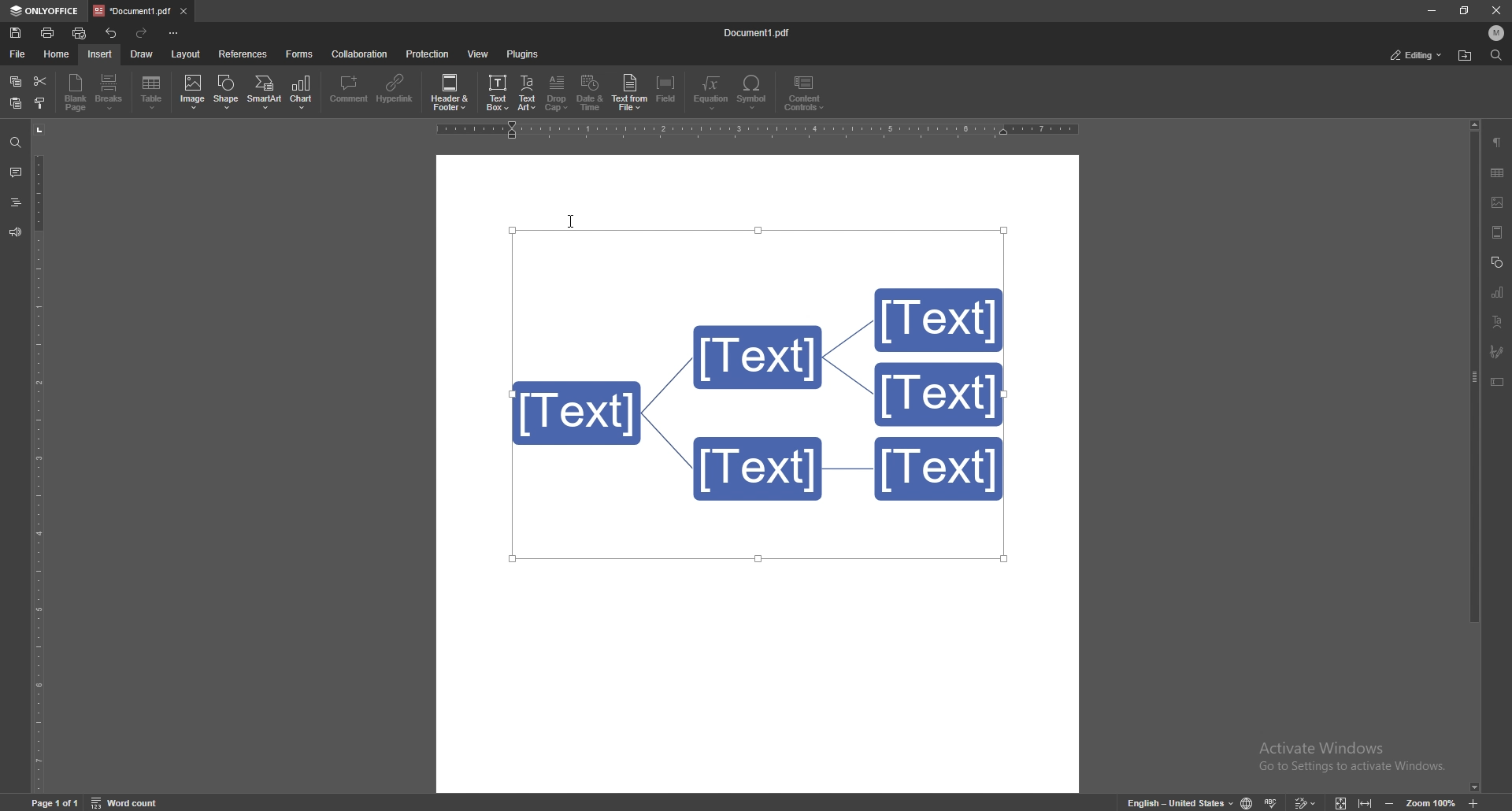  Describe the element at coordinates (1466, 55) in the screenshot. I see `locate file` at that location.